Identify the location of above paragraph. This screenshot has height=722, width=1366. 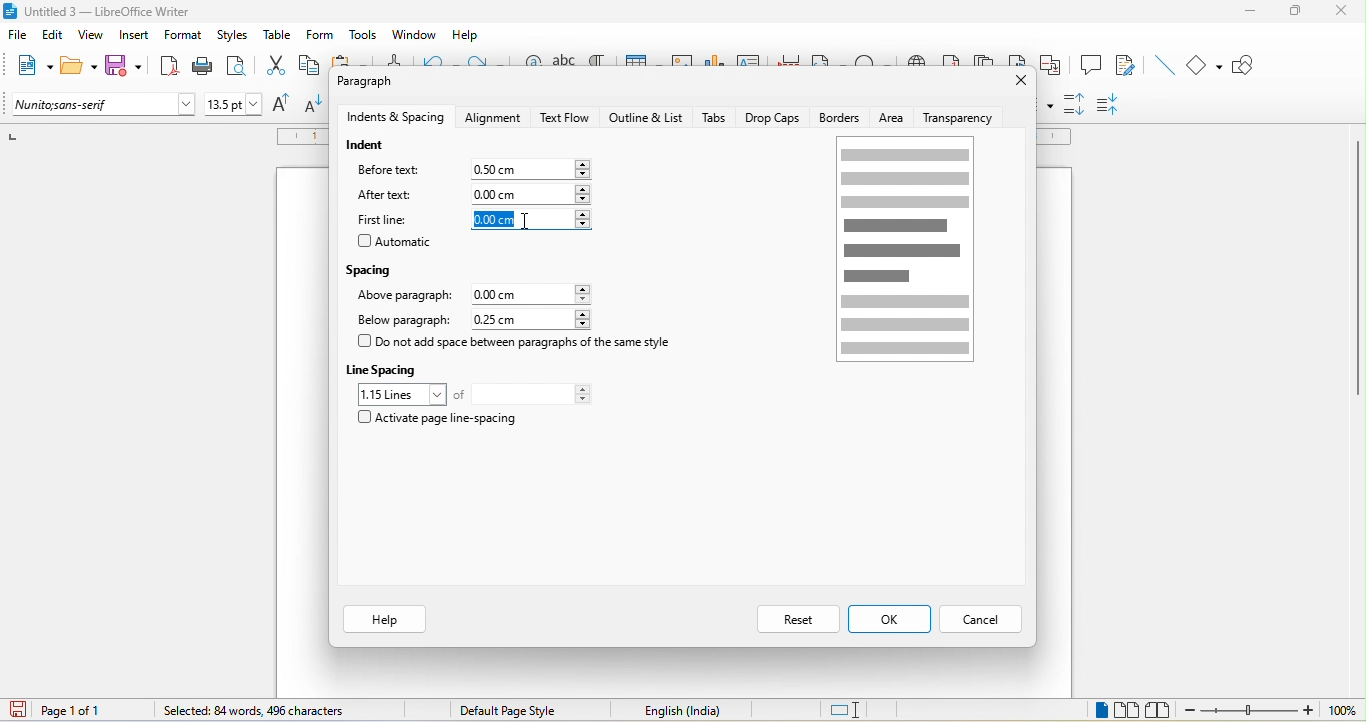
(404, 297).